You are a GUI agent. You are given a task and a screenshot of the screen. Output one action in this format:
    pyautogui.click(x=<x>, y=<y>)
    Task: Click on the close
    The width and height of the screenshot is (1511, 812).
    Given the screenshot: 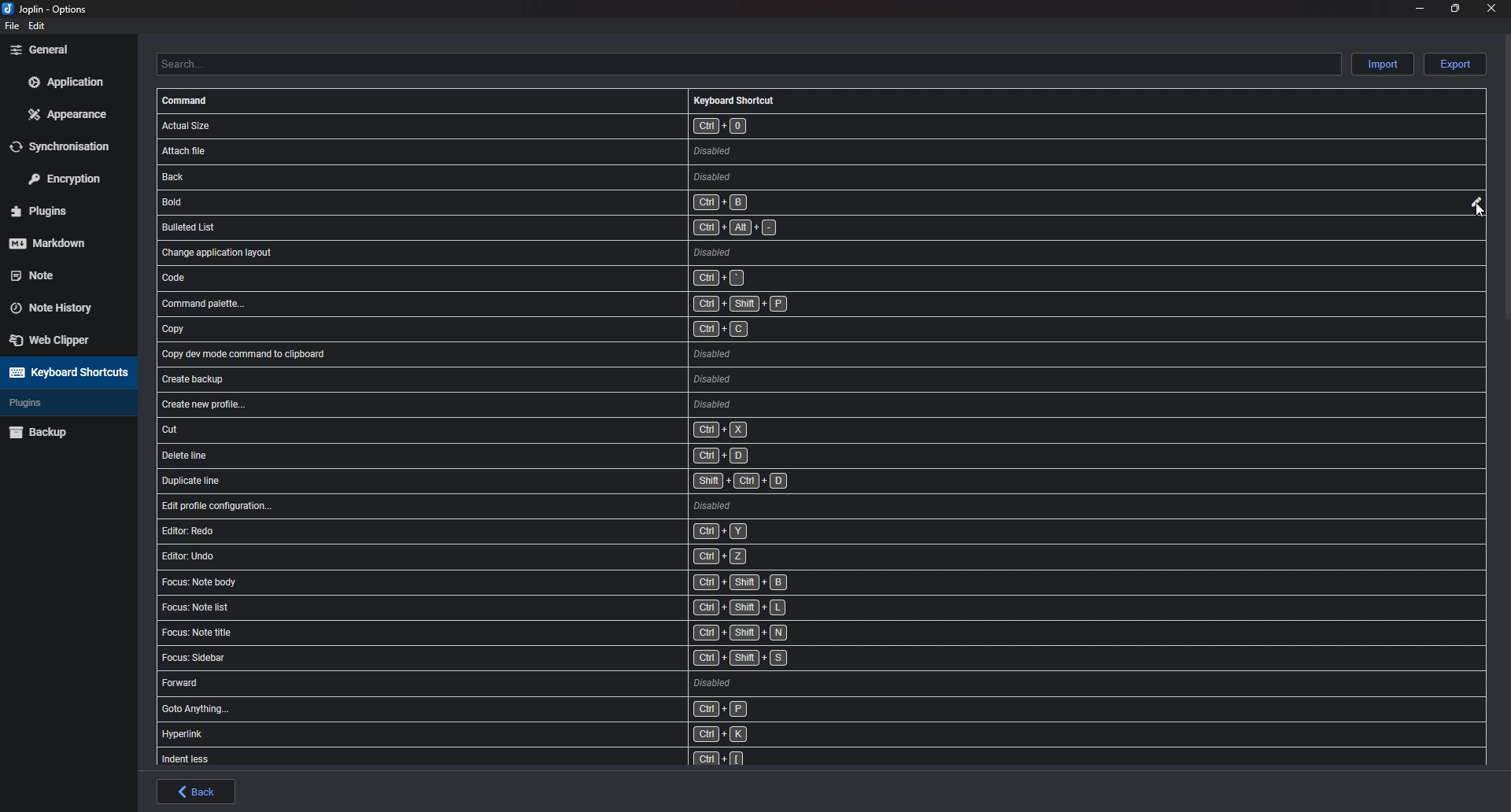 What is the action you would take?
    pyautogui.click(x=1489, y=8)
    